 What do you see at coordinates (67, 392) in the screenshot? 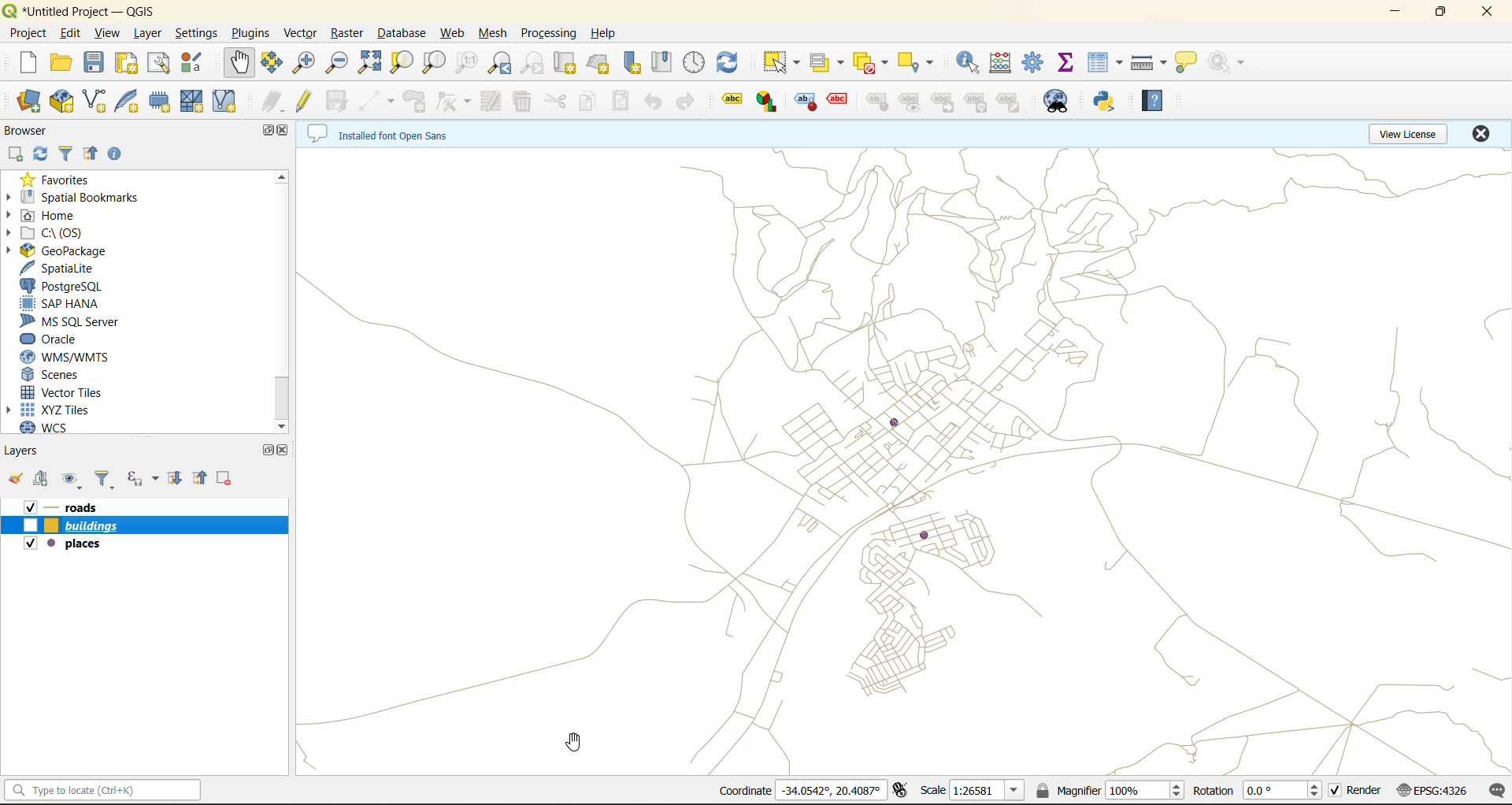
I see `vector tiles` at bounding box center [67, 392].